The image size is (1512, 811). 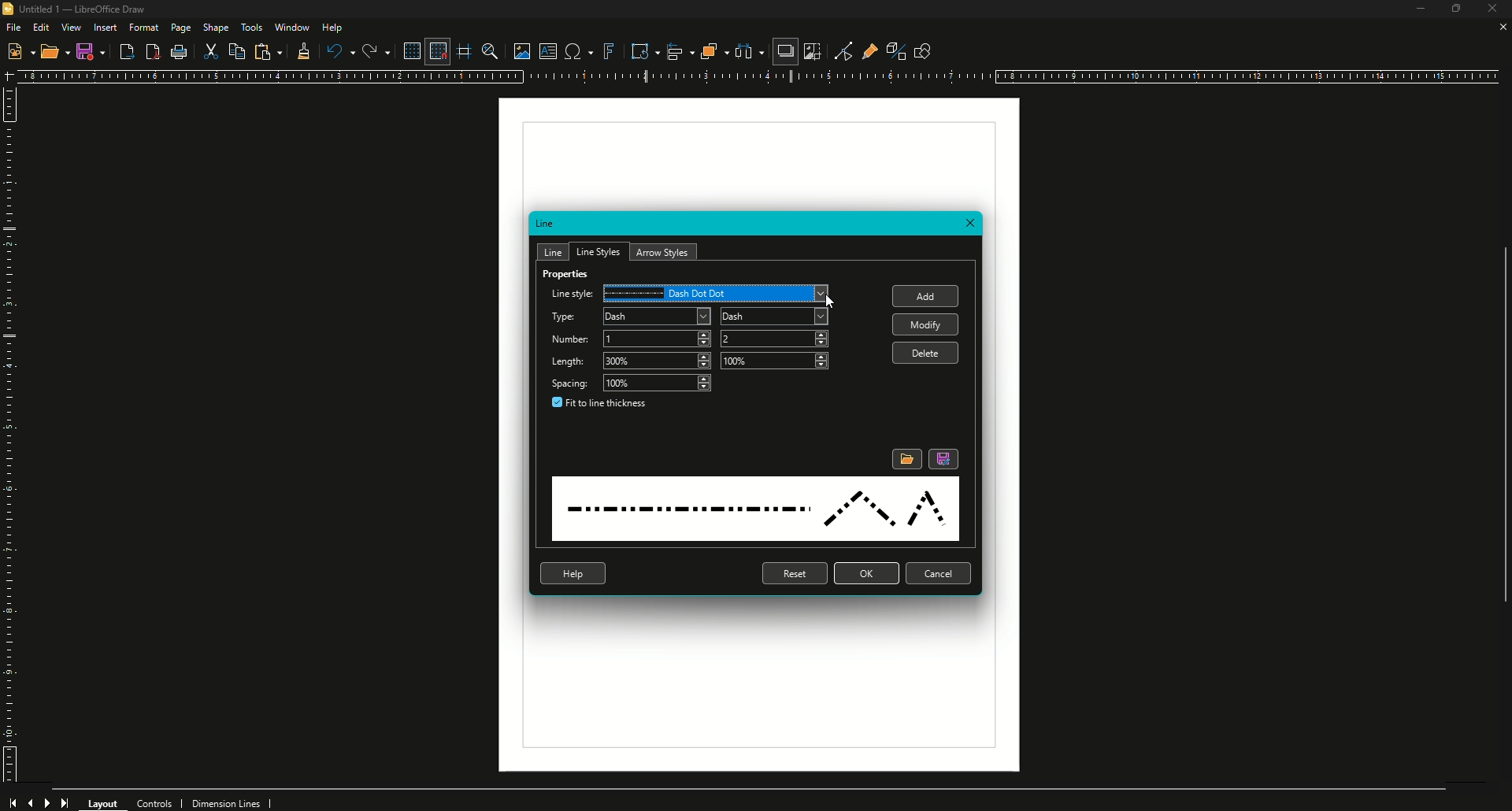 I want to click on New, so click(x=20, y=50).